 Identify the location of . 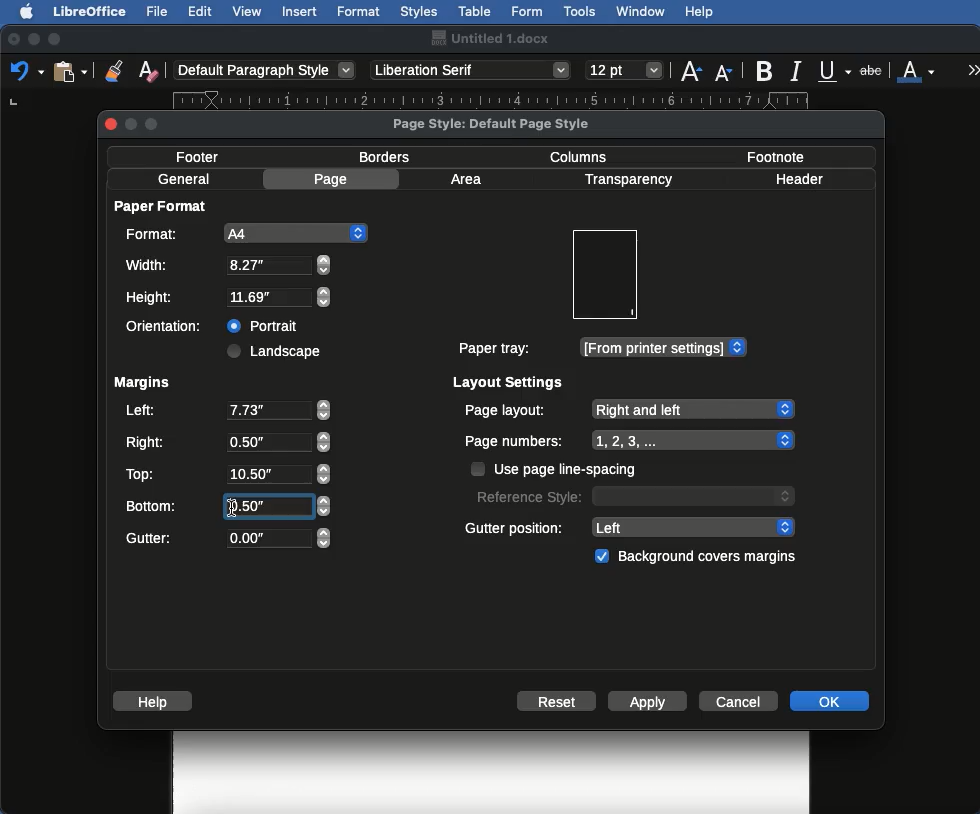
(232, 507).